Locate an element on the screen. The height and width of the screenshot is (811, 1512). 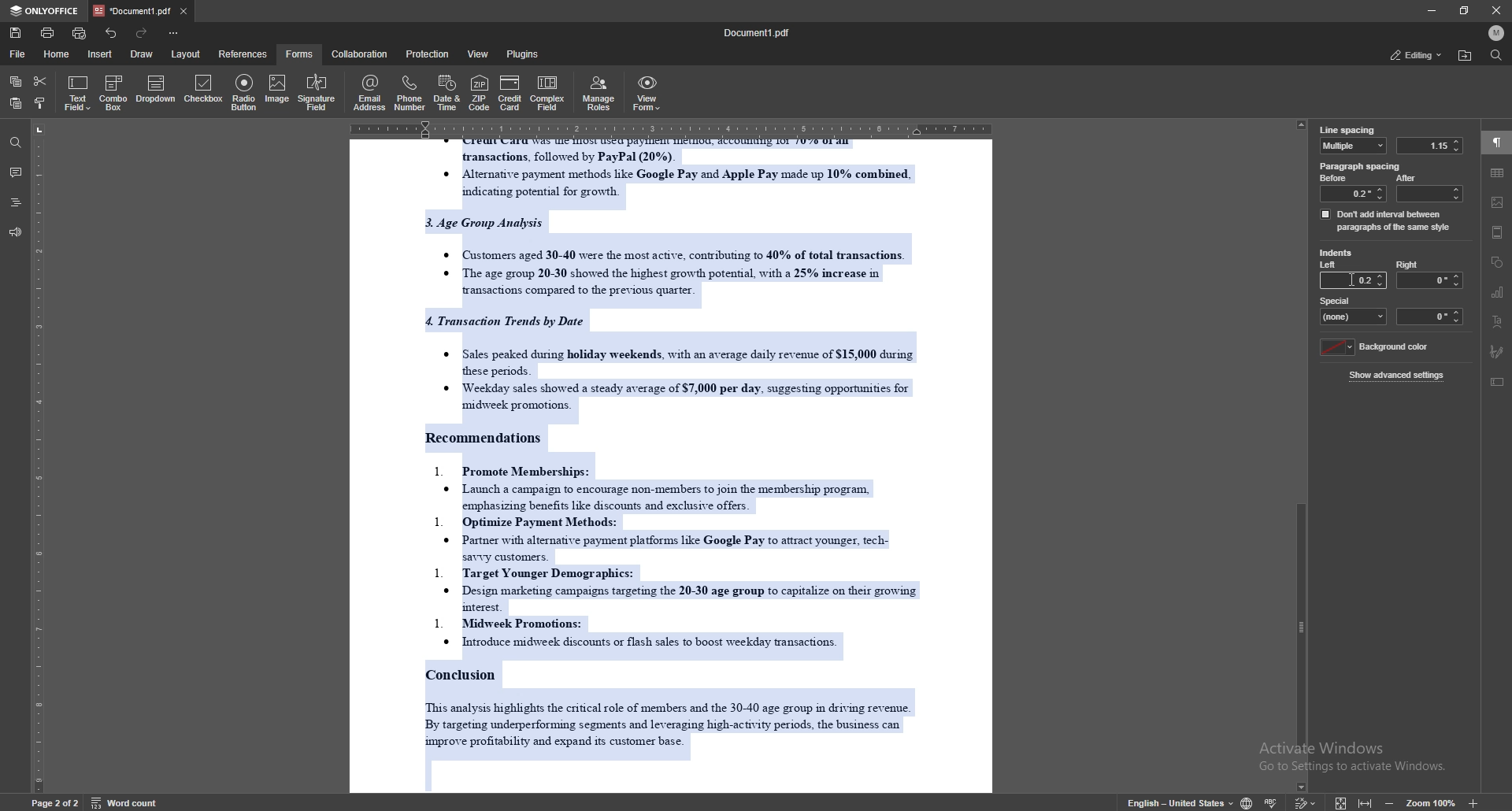
collaboration is located at coordinates (361, 54).